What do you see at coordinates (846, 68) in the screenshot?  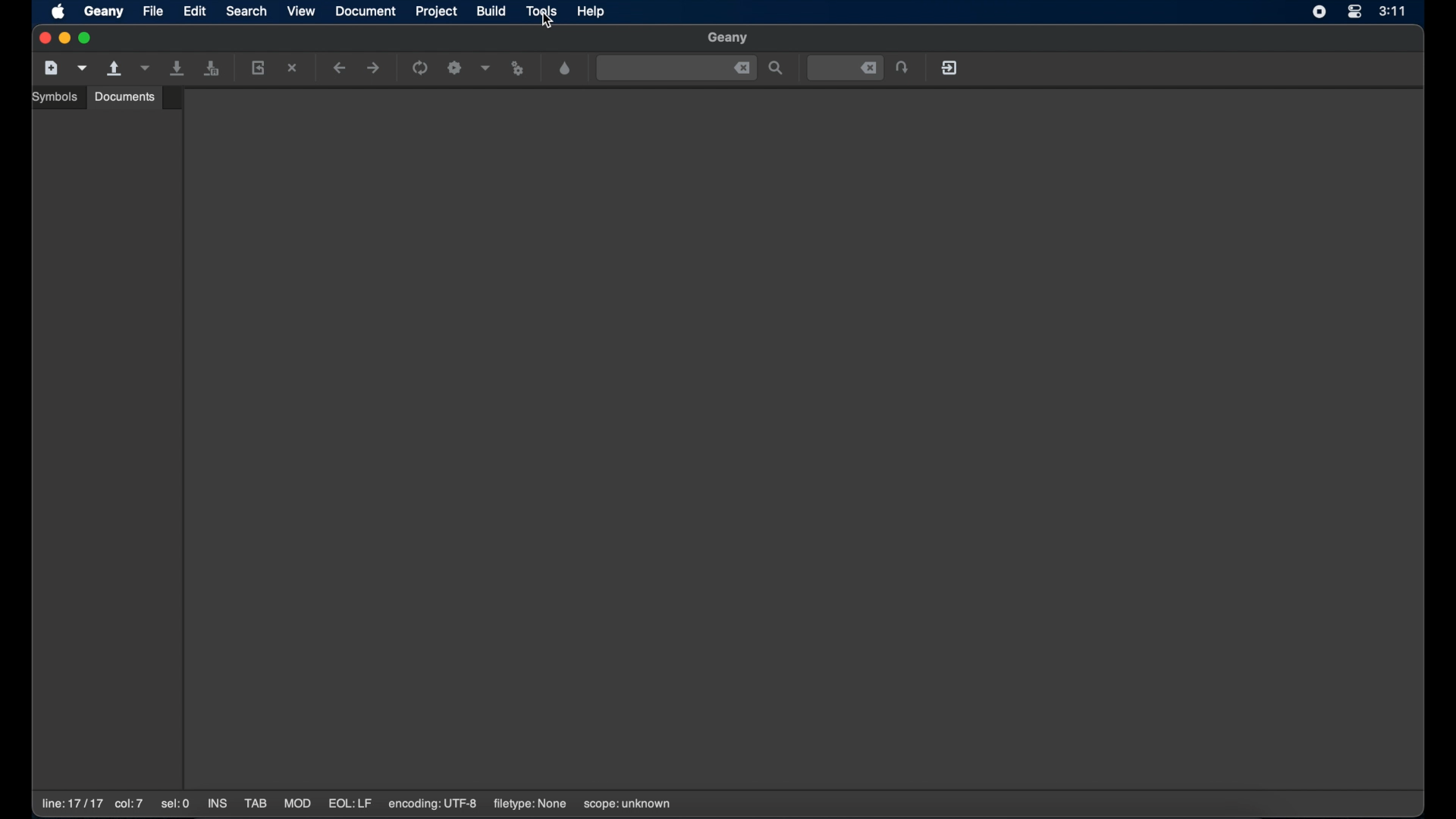 I see `jump to the entered file` at bounding box center [846, 68].